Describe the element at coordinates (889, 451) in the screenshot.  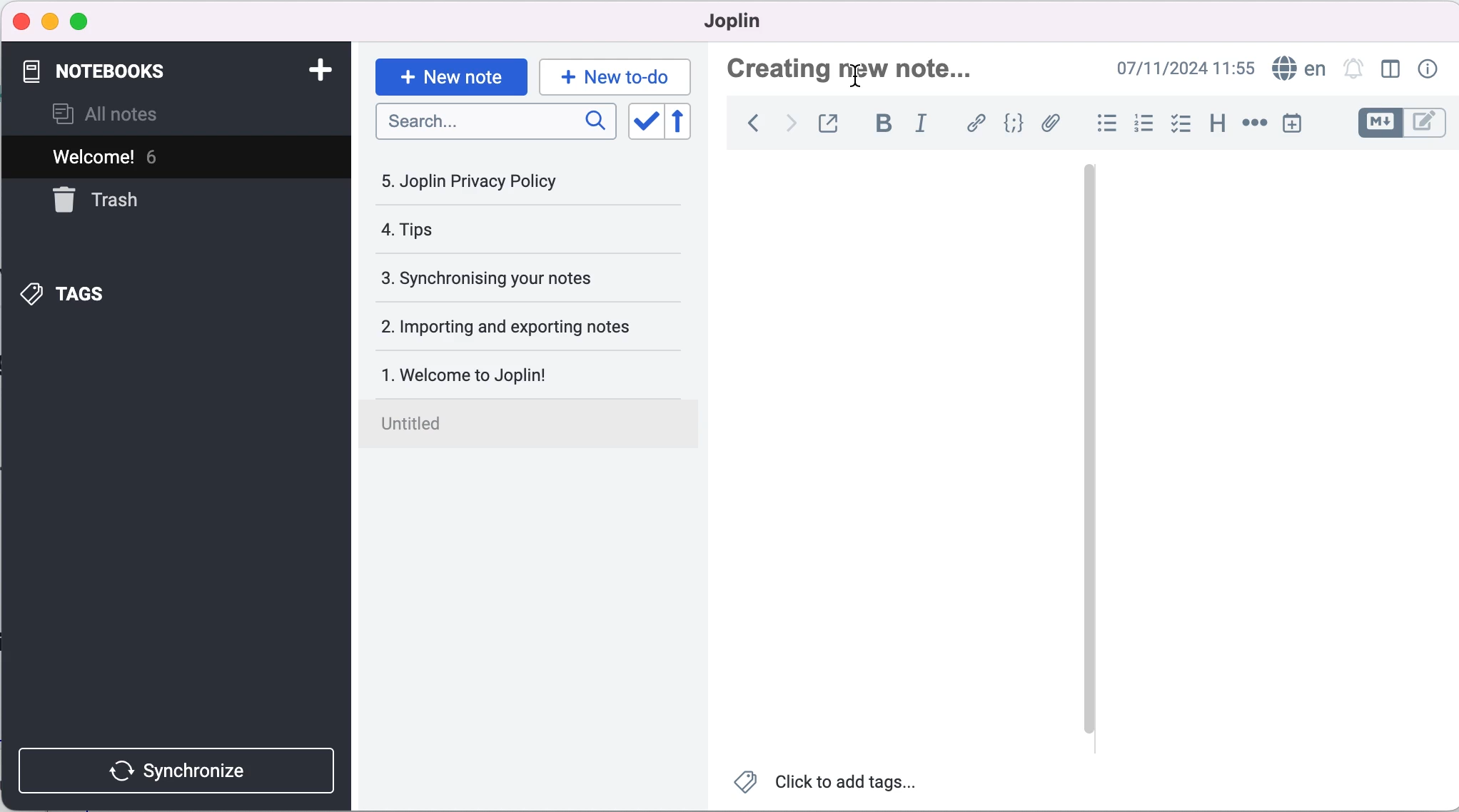
I see `blank canvas` at that location.